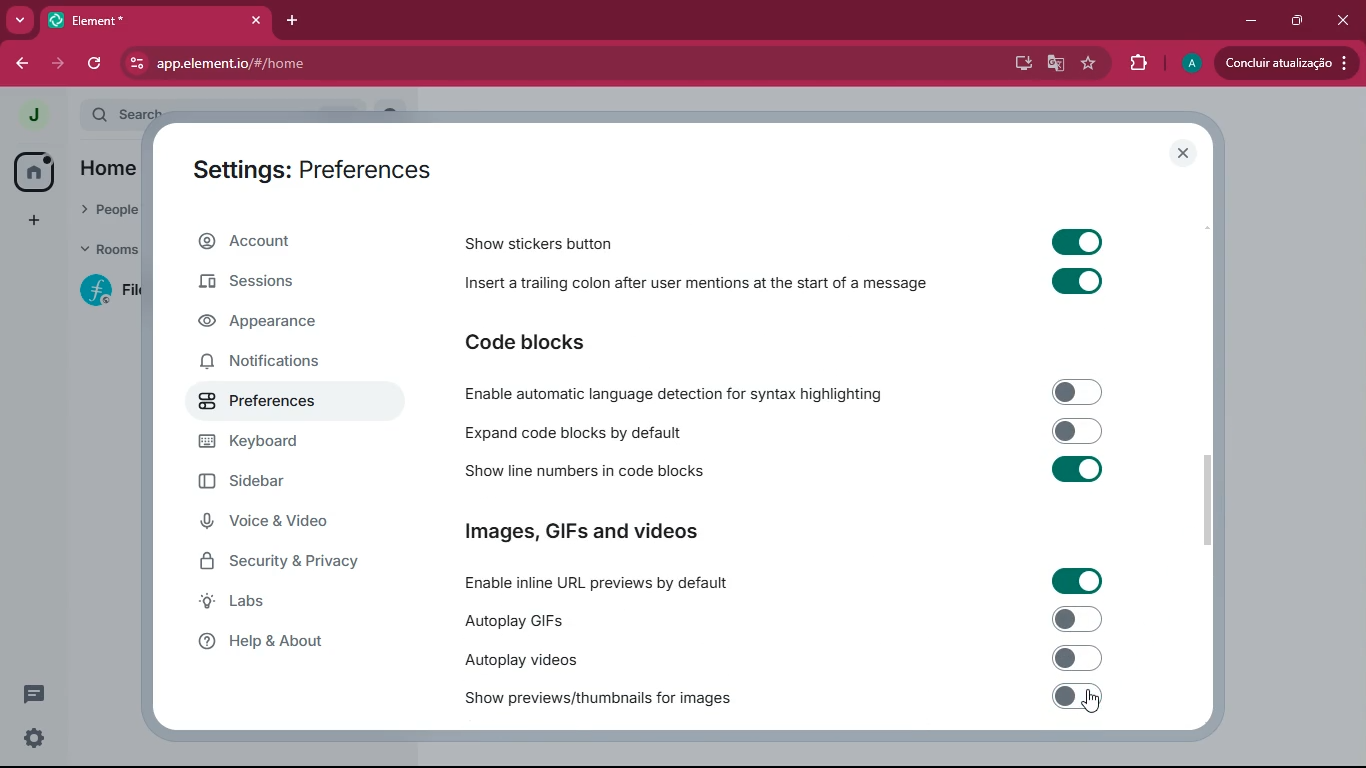  Describe the element at coordinates (1248, 21) in the screenshot. I see `minimize` at that location.